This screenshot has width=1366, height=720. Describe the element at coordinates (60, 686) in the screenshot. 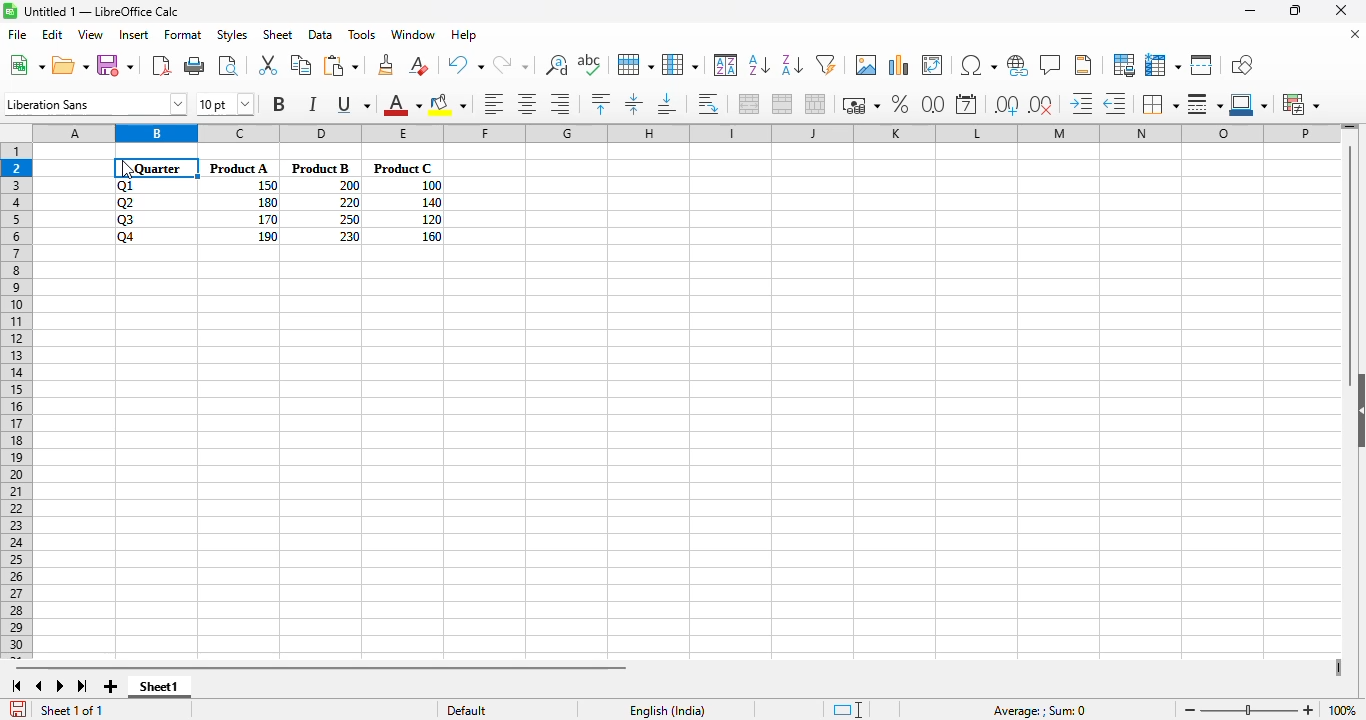

I see `scroll to next sheet` at that location.